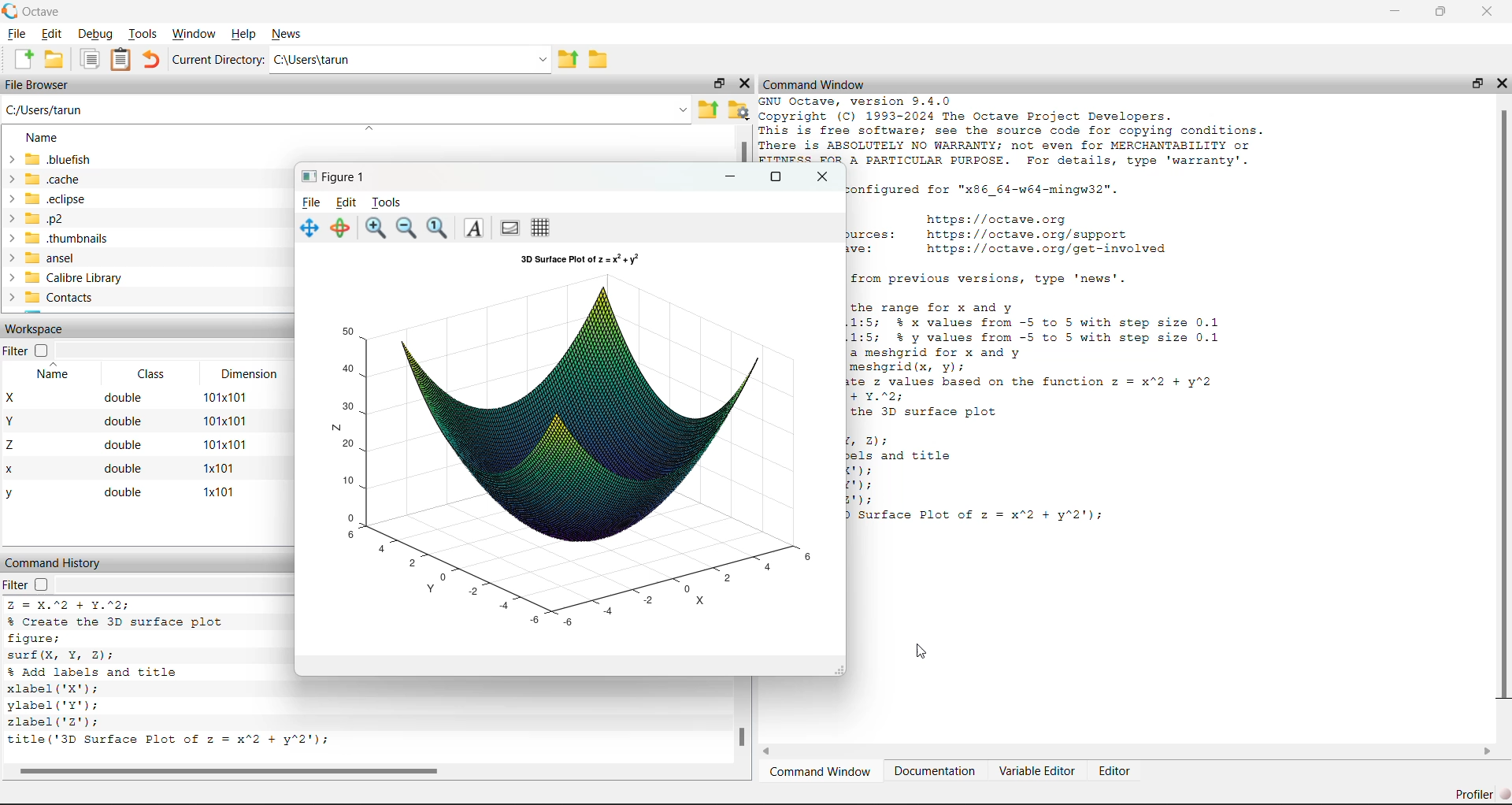 The image size is (1512, 805). What do you see at coordinates (923, 651) in the screenshot?
I see `Cursor` at bounding box center [923, 651].